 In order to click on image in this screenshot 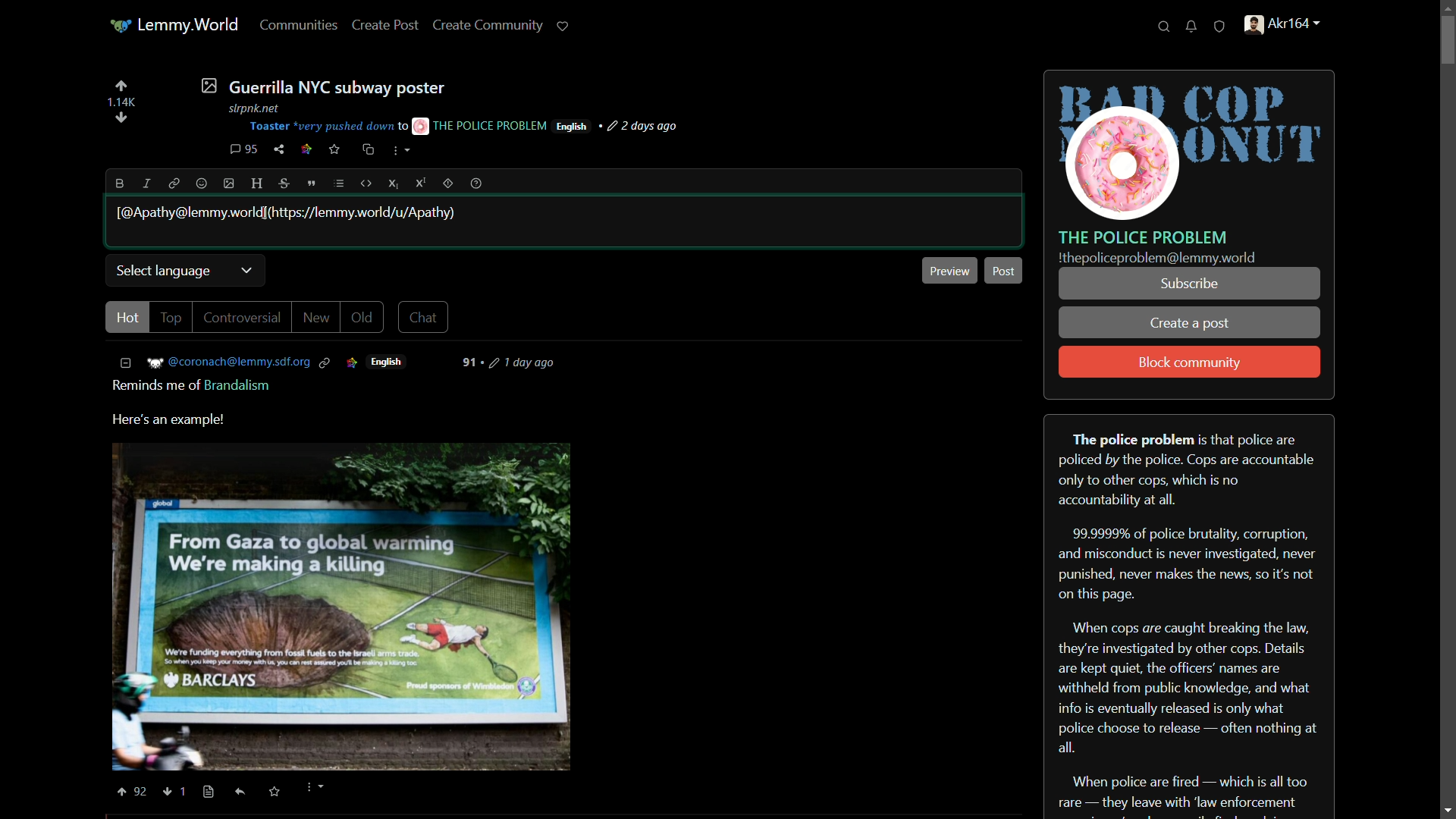, I will do `click(230, 184)`.